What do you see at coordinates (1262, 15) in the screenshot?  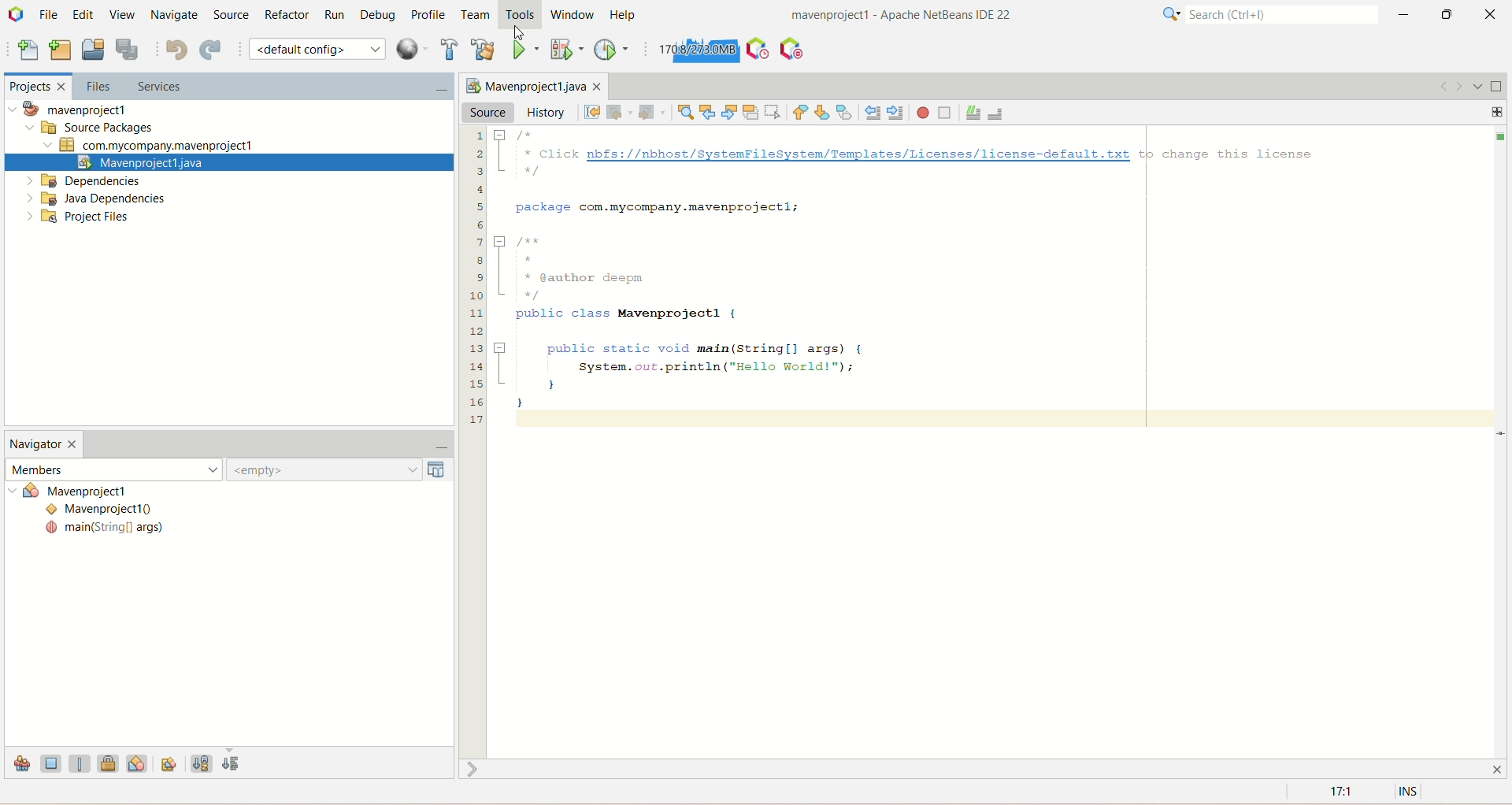 I see `search (ctrl+E)` at bounding box center [1262, 15].